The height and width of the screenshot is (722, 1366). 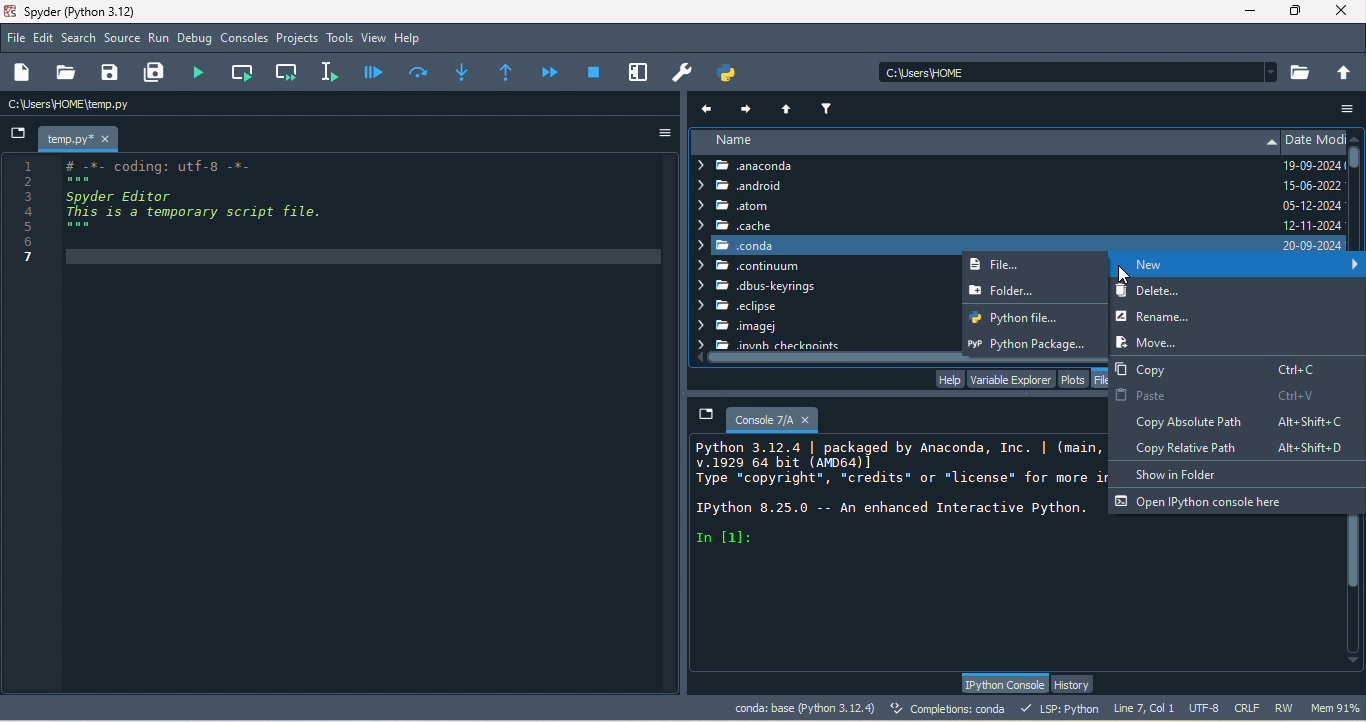 What do you see at coordinates (709, 108) in the screenshot?
I see `previous` at bounding box center [709, 108].